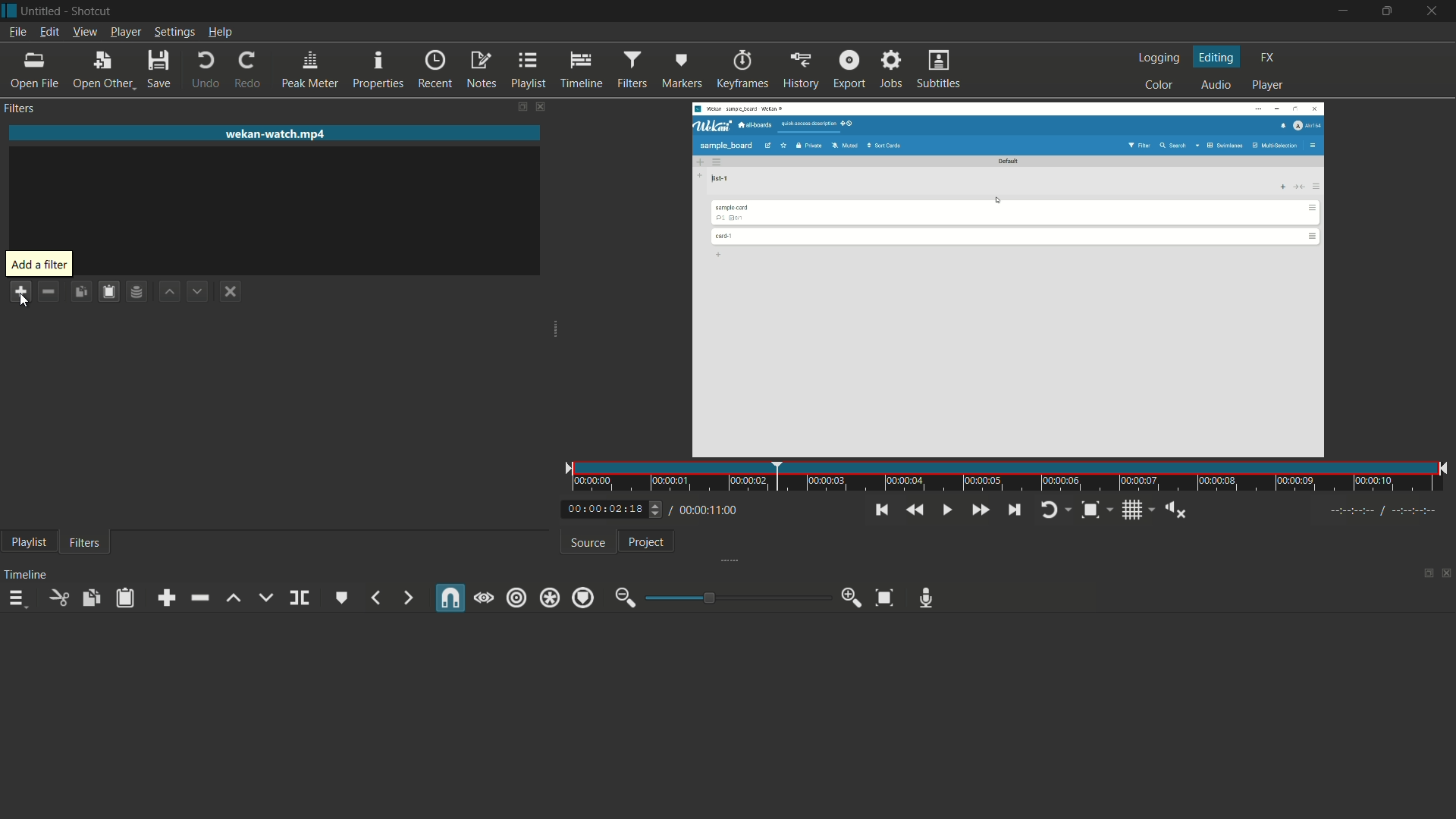 This screenshot has height=819, width=1456. Describe the element at coordinates (85, 544) in the screenshot. I see `filters` at that location.